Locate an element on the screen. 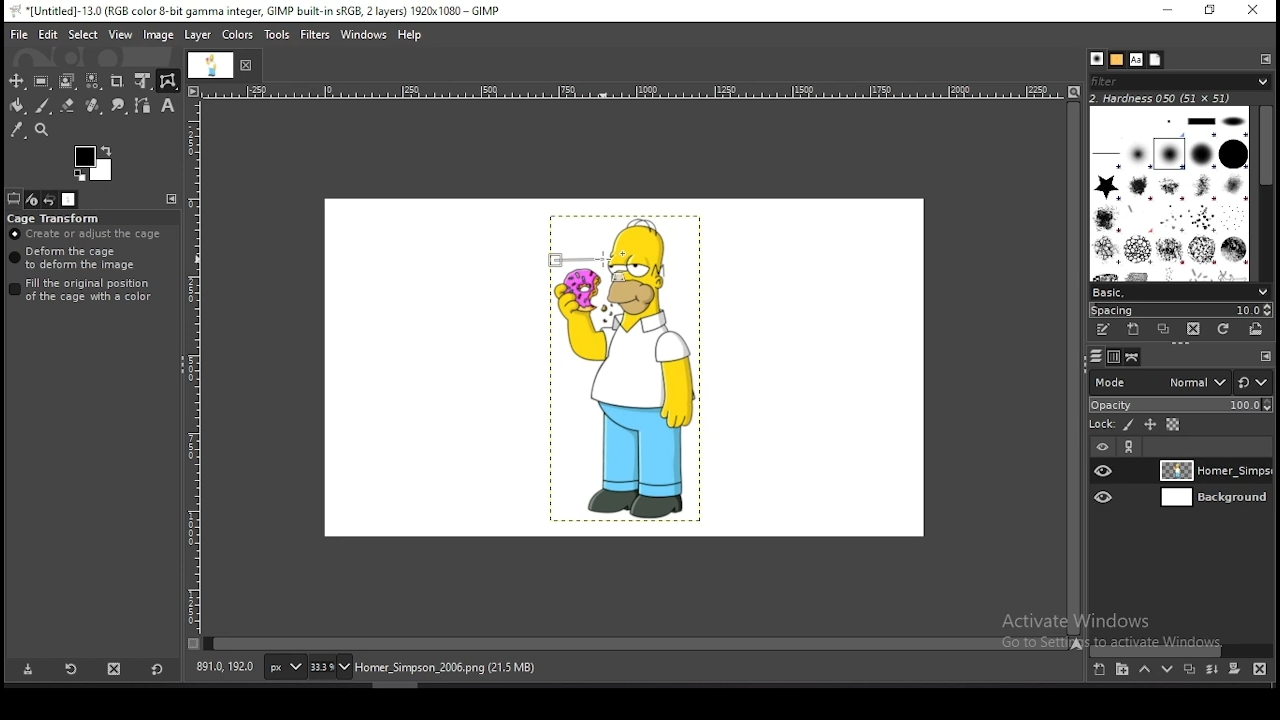 Image resolution: width=1280 pixels, height=720 pixels. mouse pointer is located at coordinates (601, 259).